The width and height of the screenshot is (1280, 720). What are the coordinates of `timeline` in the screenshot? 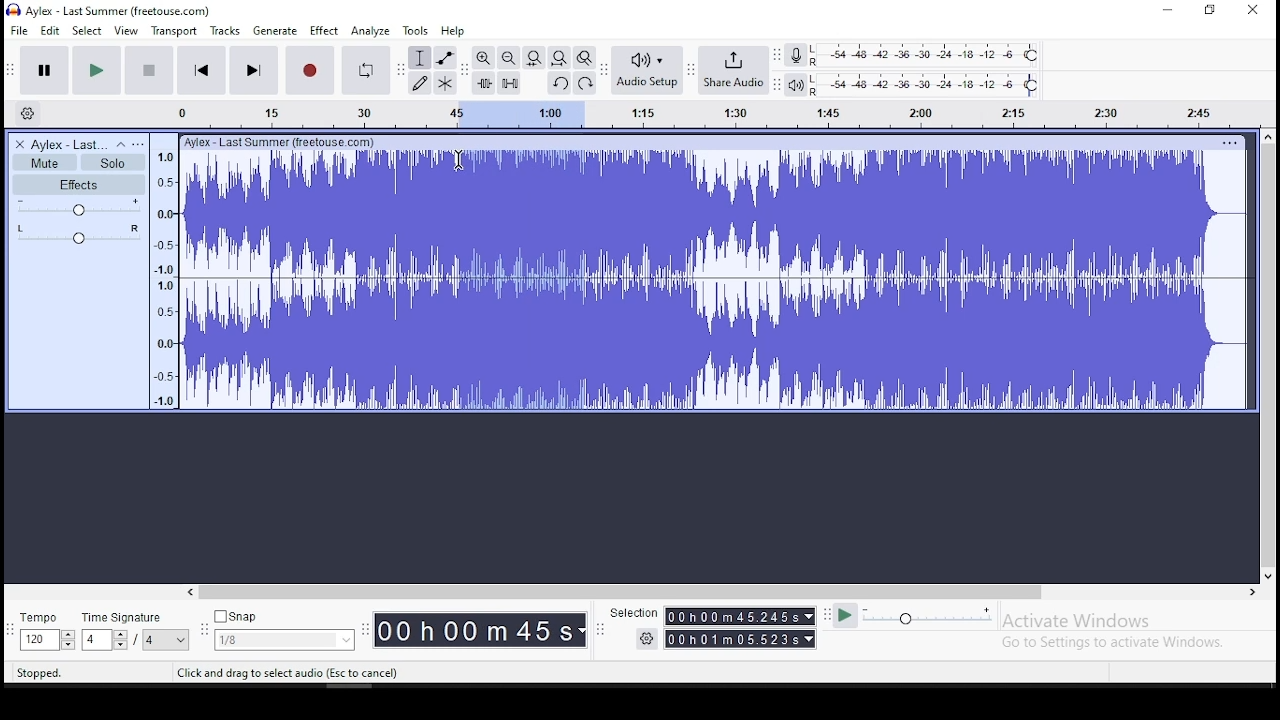 It's located at (168, 274).